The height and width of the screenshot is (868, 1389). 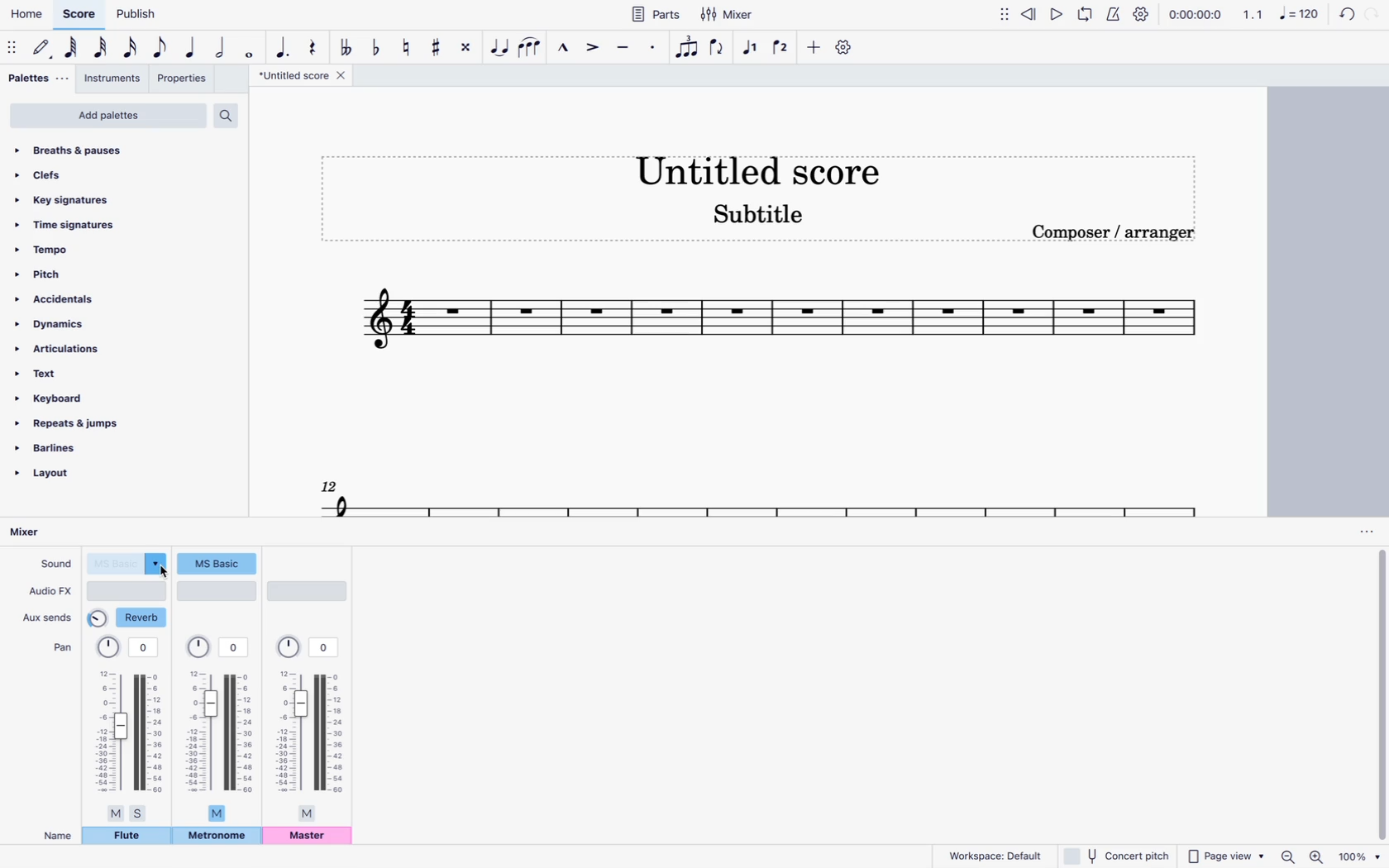 What do you see at coordinates (88, 174) in the screenshot?
I see `clefs` at bounding box center [88, 174].